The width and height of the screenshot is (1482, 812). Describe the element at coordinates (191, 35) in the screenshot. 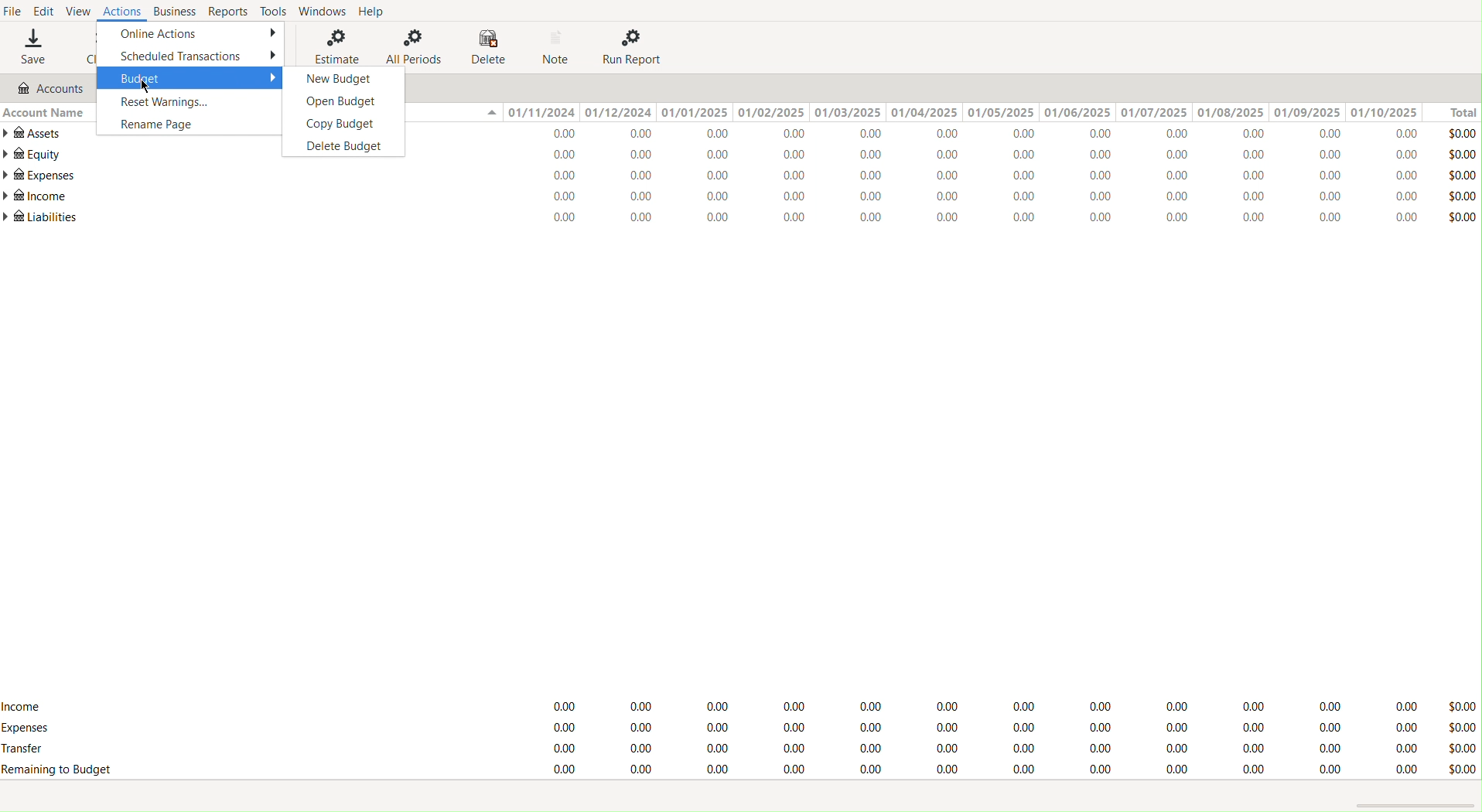

I see `Online Actions` at that location.